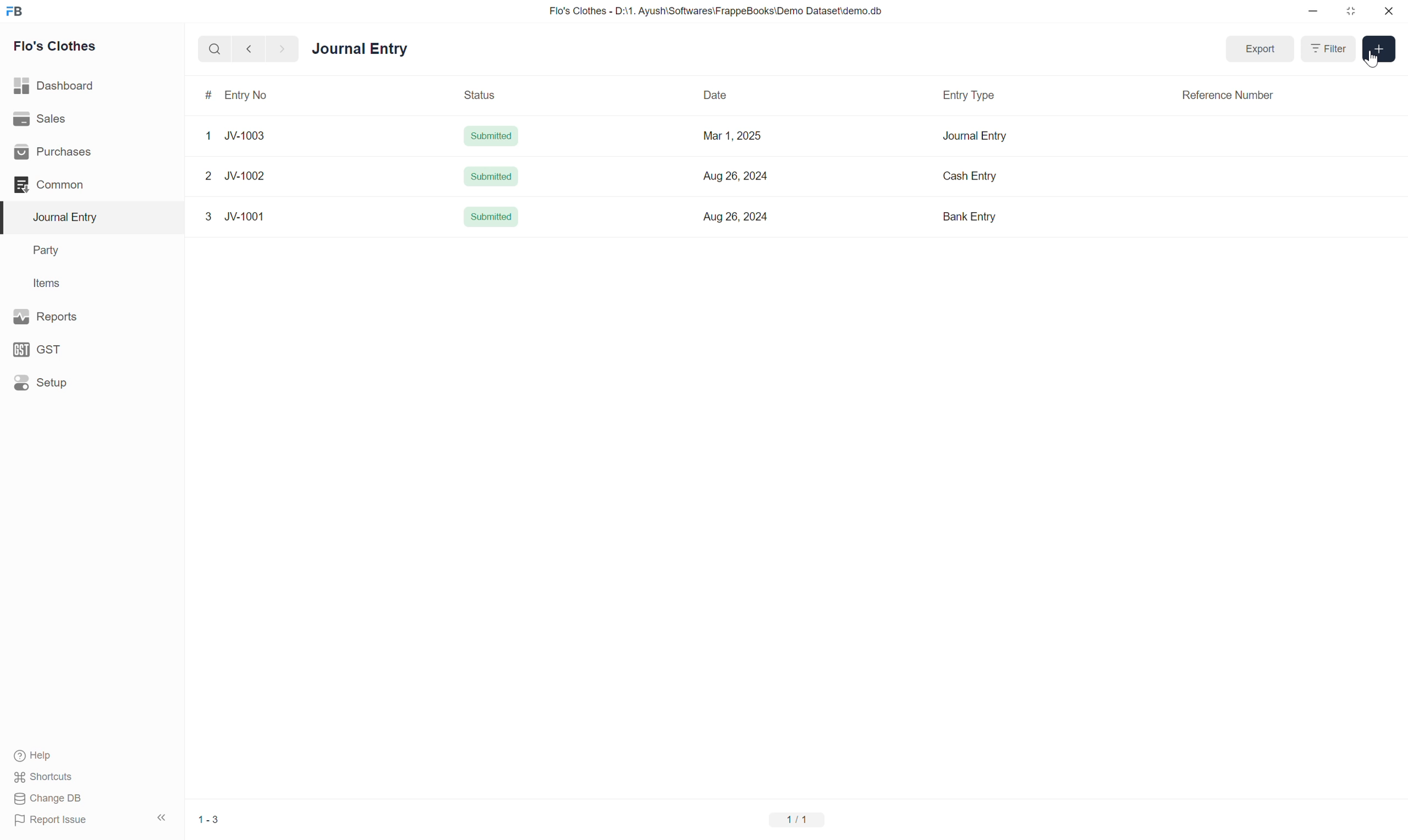 The height and width of the screenshot is (840, 1408). What do you see at coordinates (46, 282) in the screenshot?
I see `Items` at bounding box center [46, 282].